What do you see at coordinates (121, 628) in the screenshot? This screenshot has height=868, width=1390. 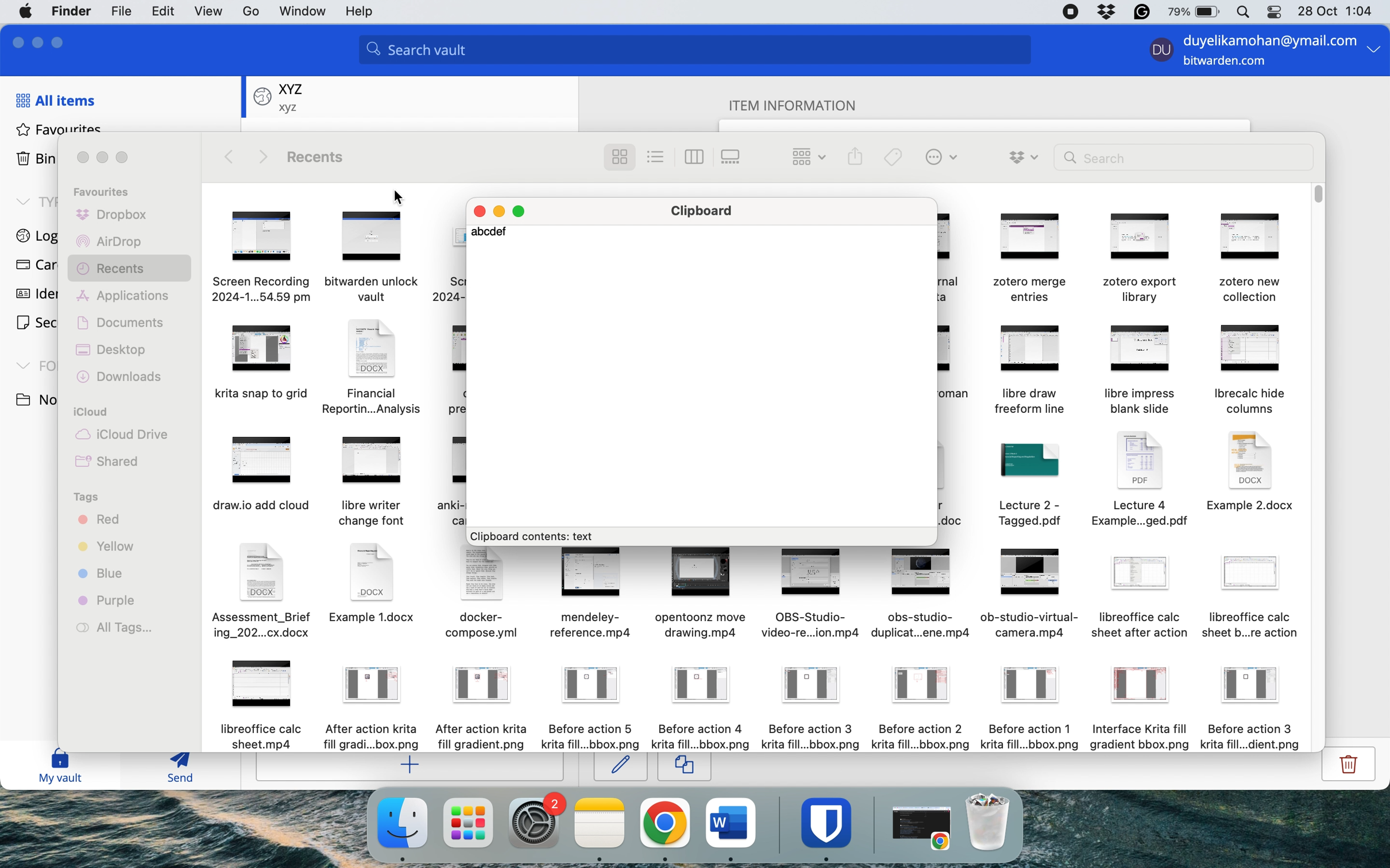 I see `all tags` at bounding box center [121, 628].